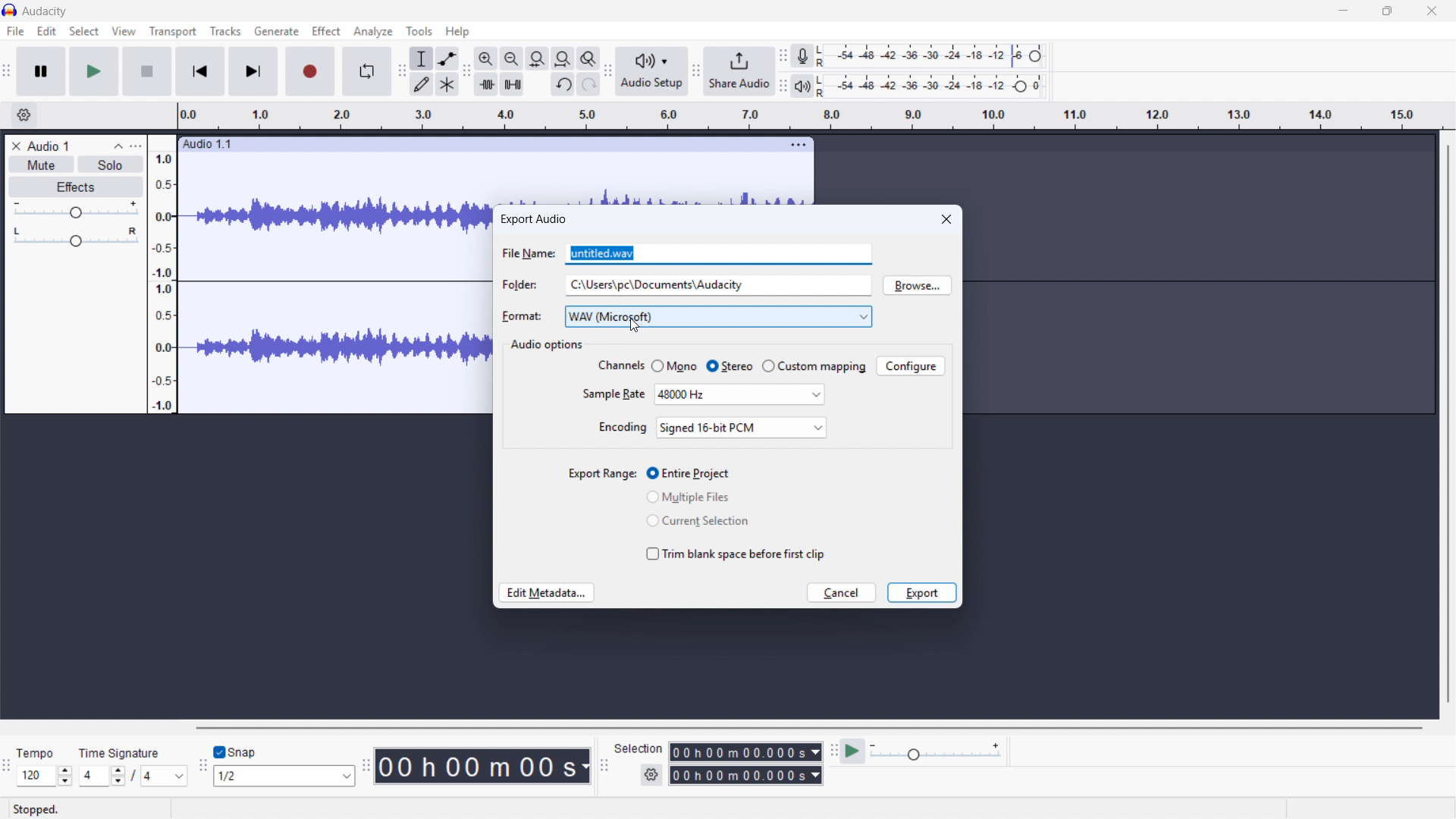 Image resolution: width=1456 pixels, height=819 pixels. Describe the element at coordinates (1448, 424) in the screenshot. I see `Vertical scroll bar ` at that location.